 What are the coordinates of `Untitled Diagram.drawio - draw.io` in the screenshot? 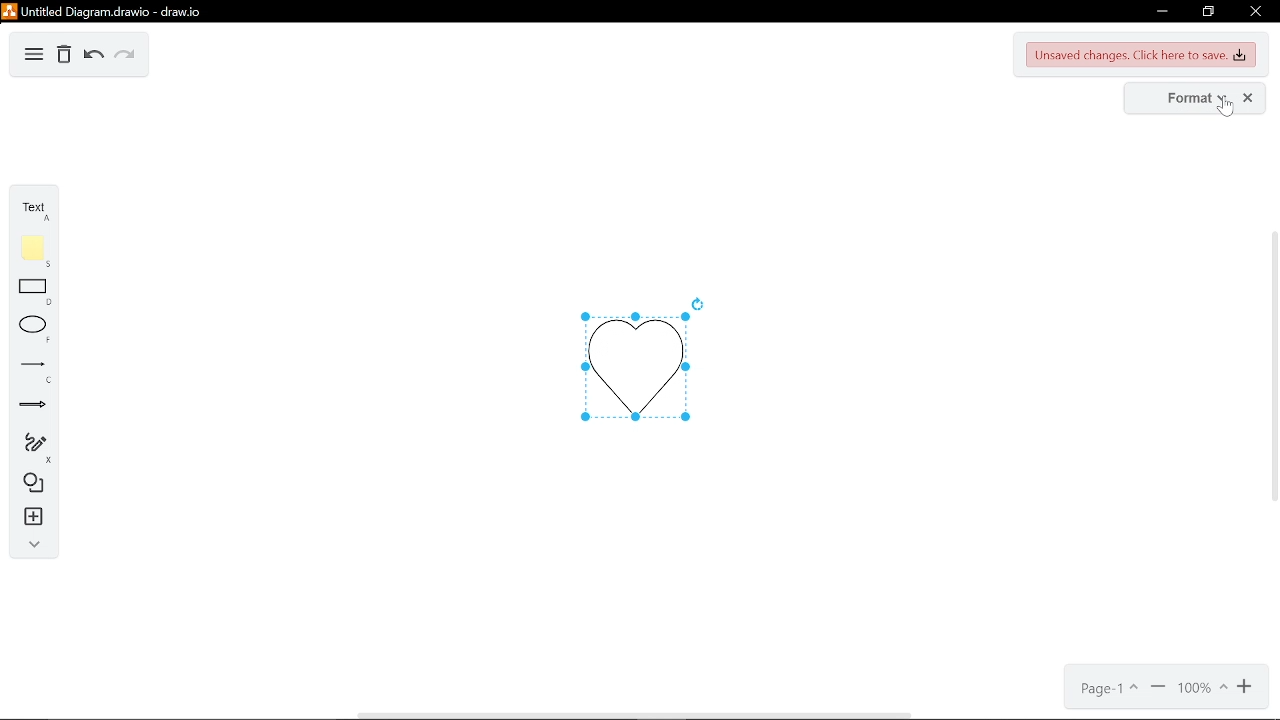 It's located at (105, 11).